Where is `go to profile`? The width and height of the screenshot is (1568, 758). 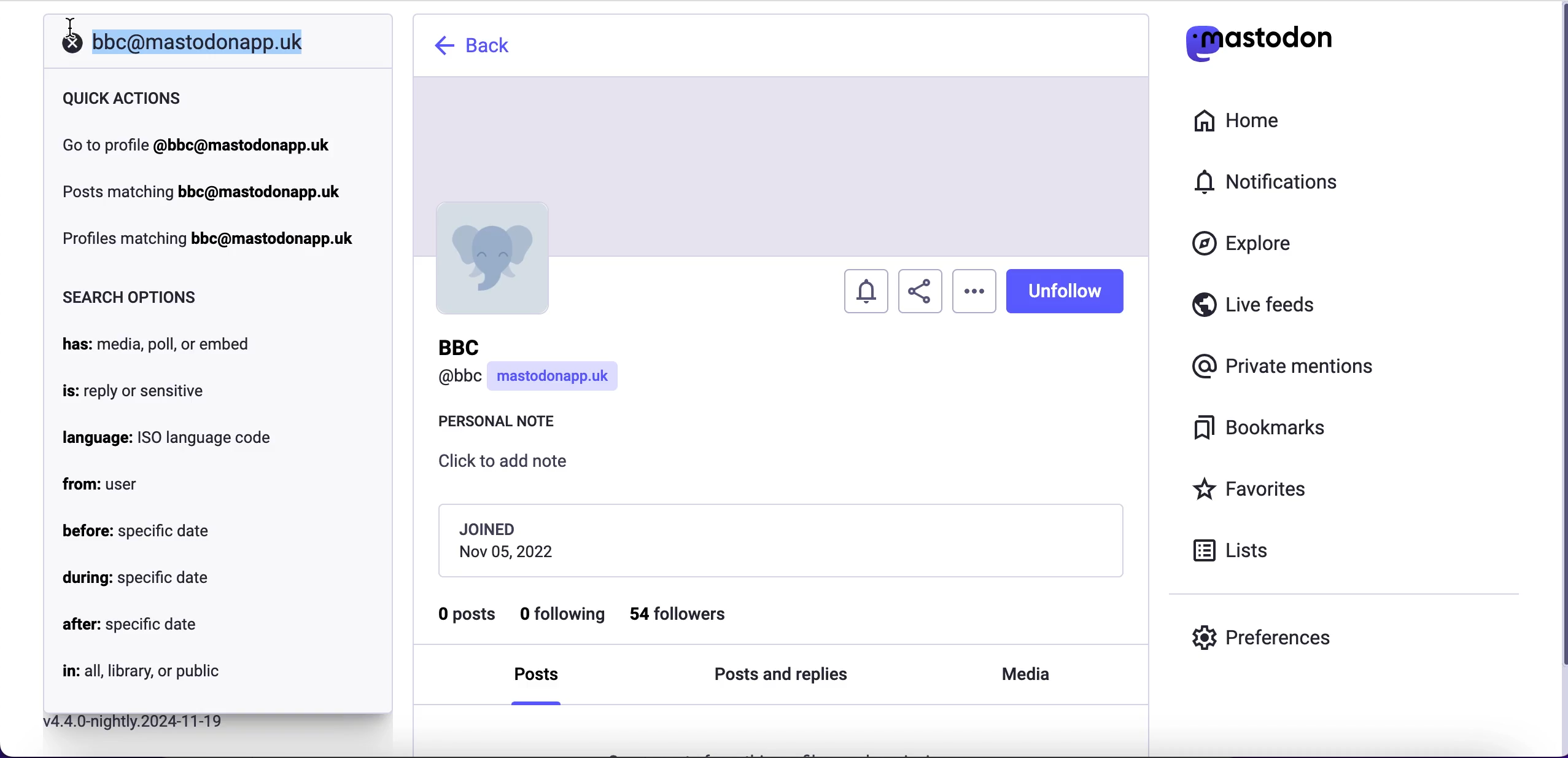
go to profile is located at coordinates (197, 145).